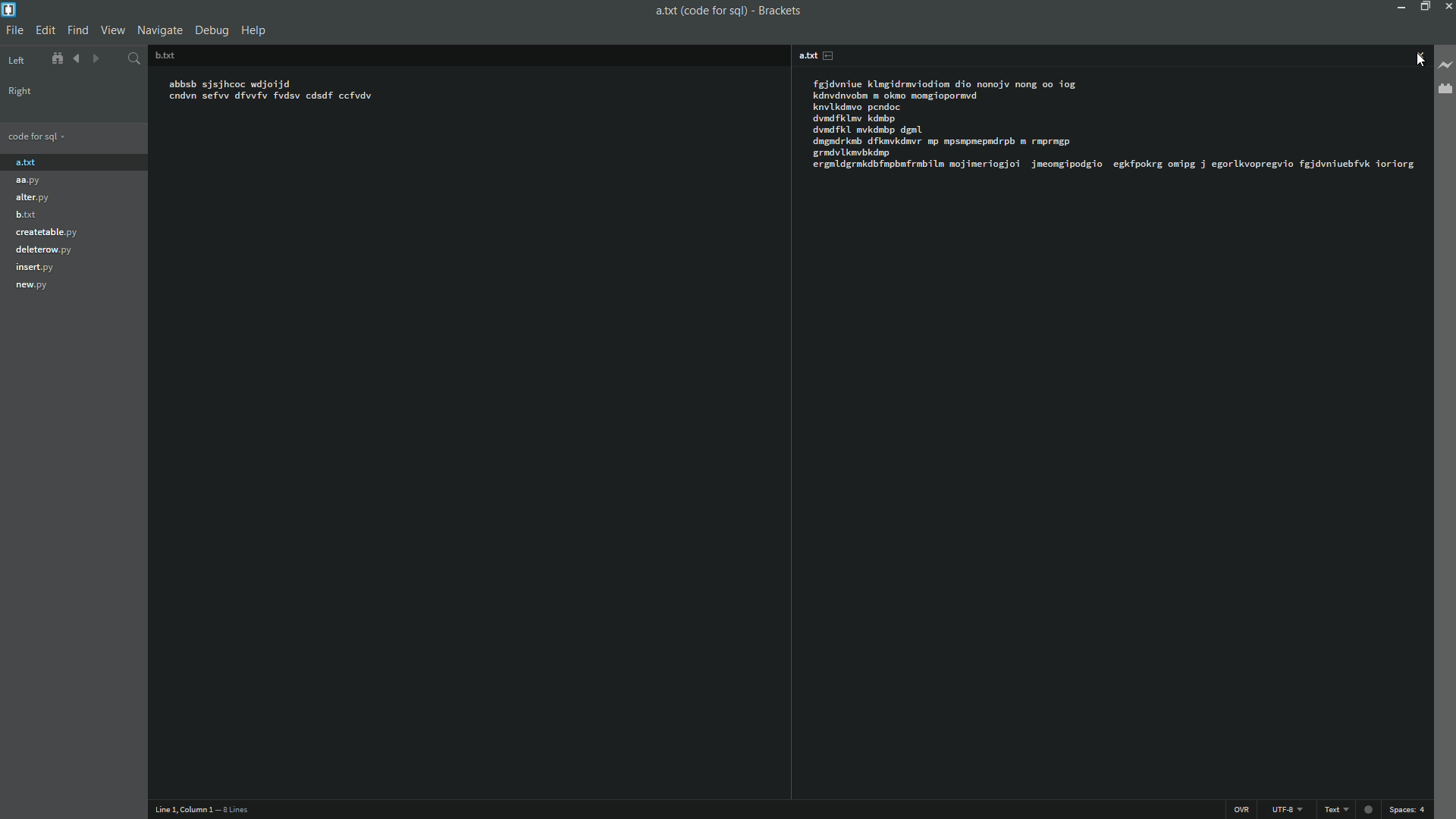 The image size is (1456, 819). I want to click on space-4, so click(1407, 809).